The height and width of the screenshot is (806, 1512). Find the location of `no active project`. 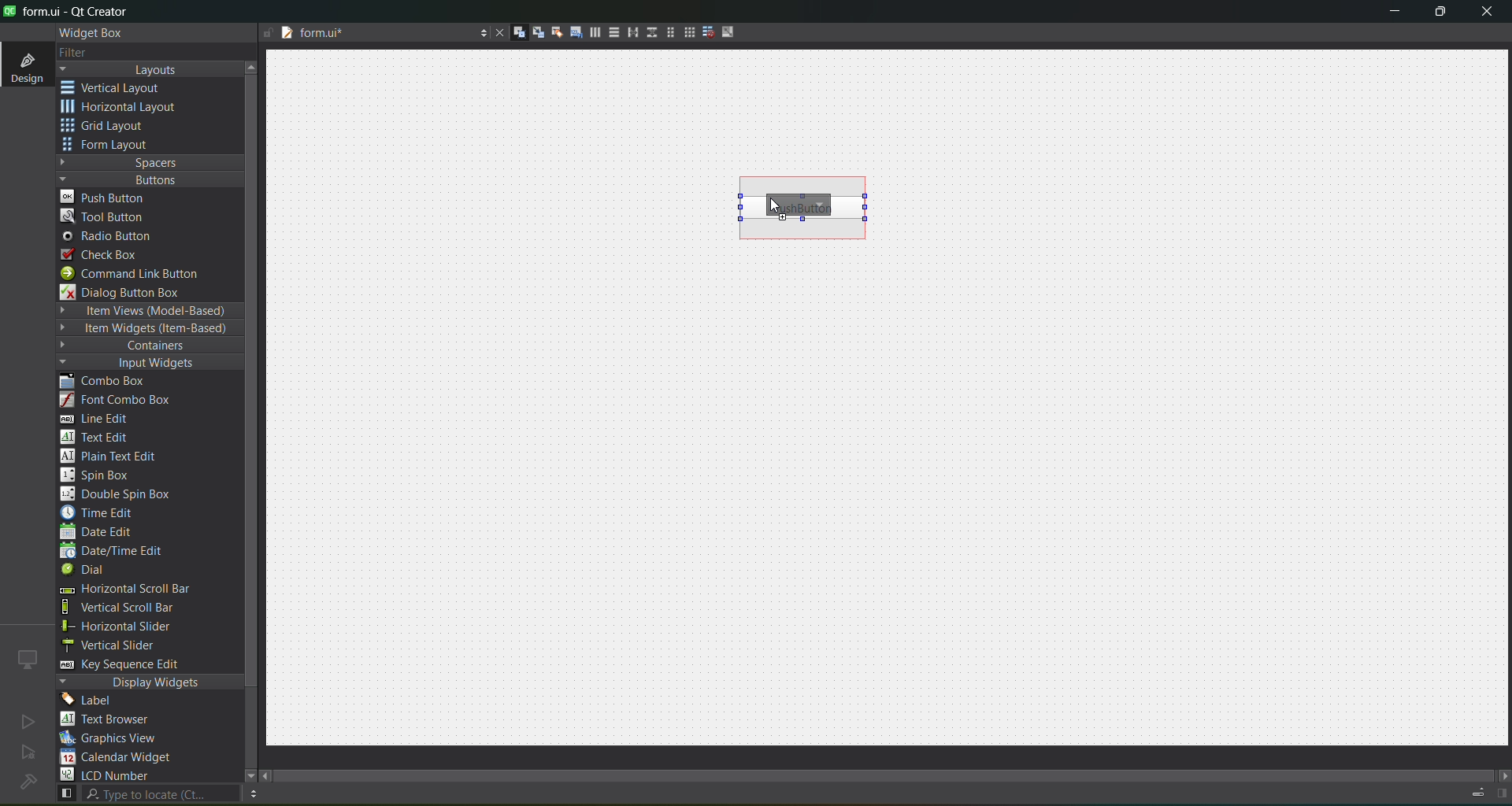

no active project is located at coordinates (28, 721).